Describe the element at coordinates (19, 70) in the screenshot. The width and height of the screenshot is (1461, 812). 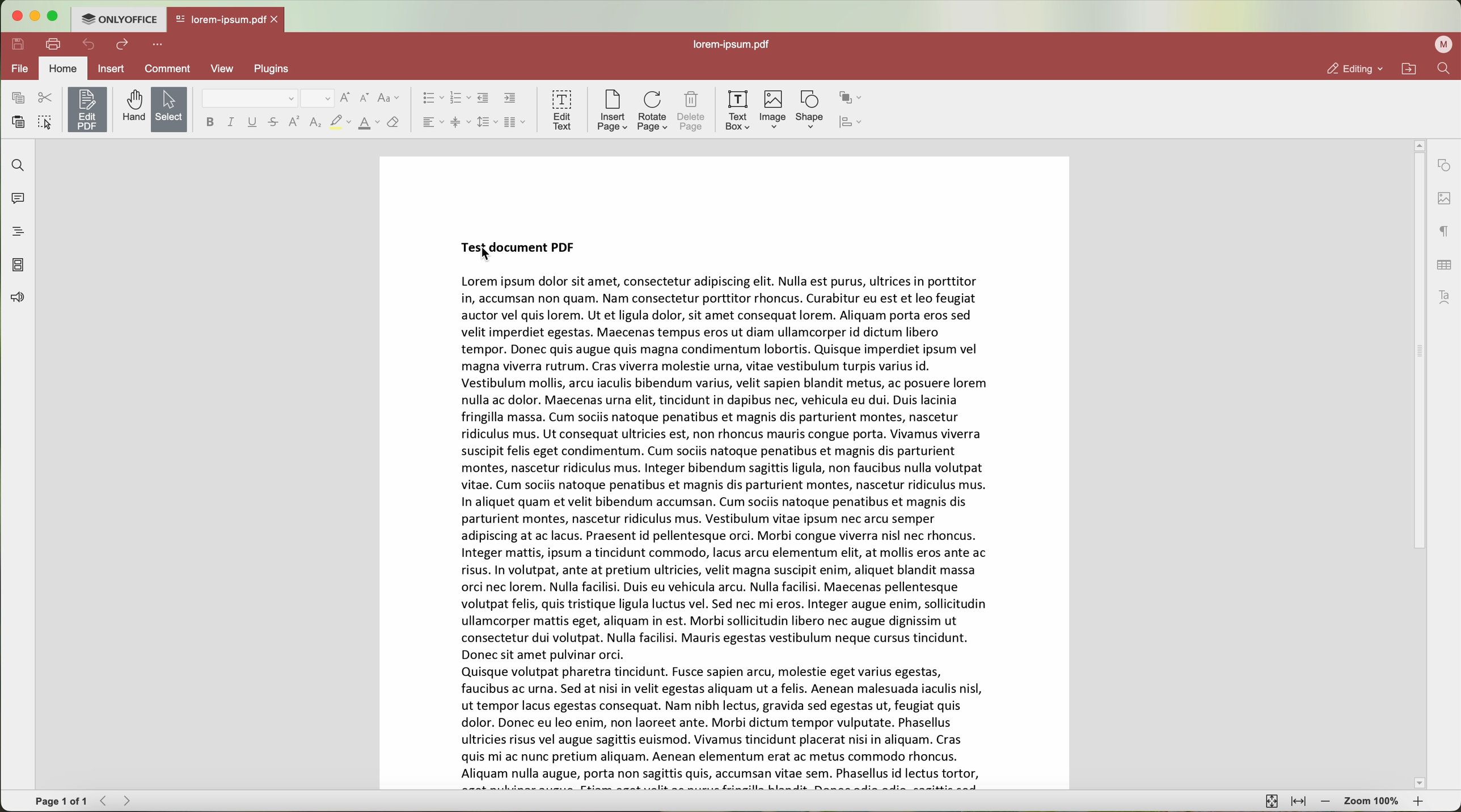
I see `file` at that location.